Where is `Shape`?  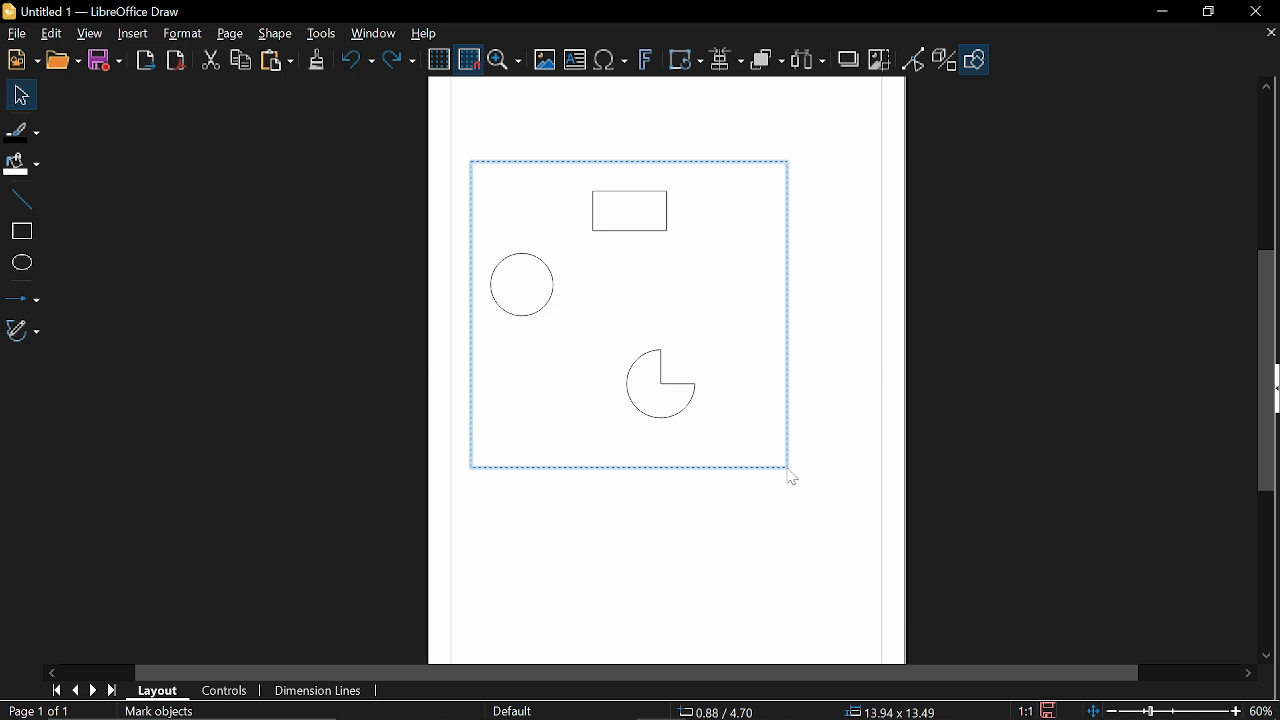
Shape is located at coordinates (274, 35).